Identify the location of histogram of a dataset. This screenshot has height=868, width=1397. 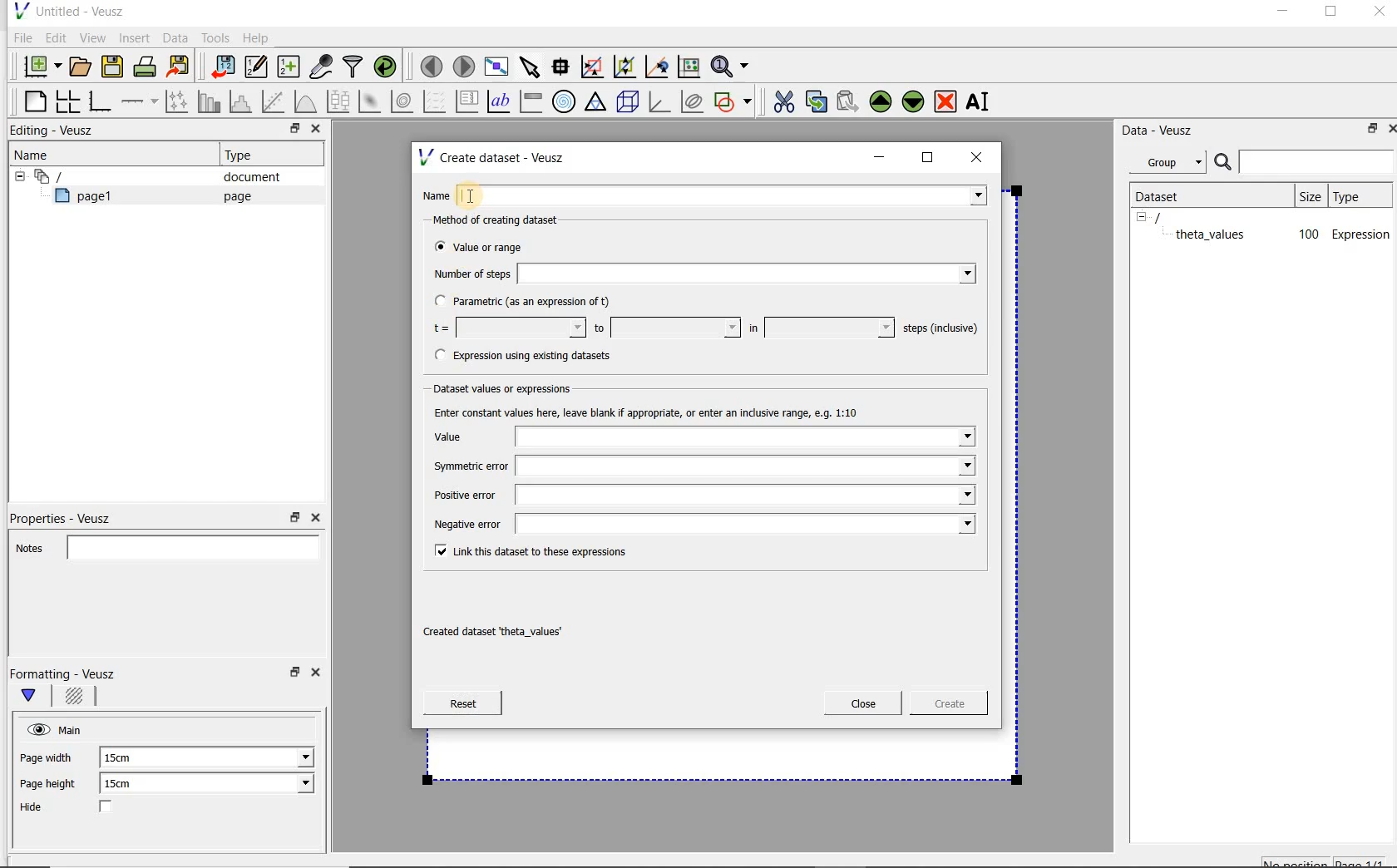
(243, 101).